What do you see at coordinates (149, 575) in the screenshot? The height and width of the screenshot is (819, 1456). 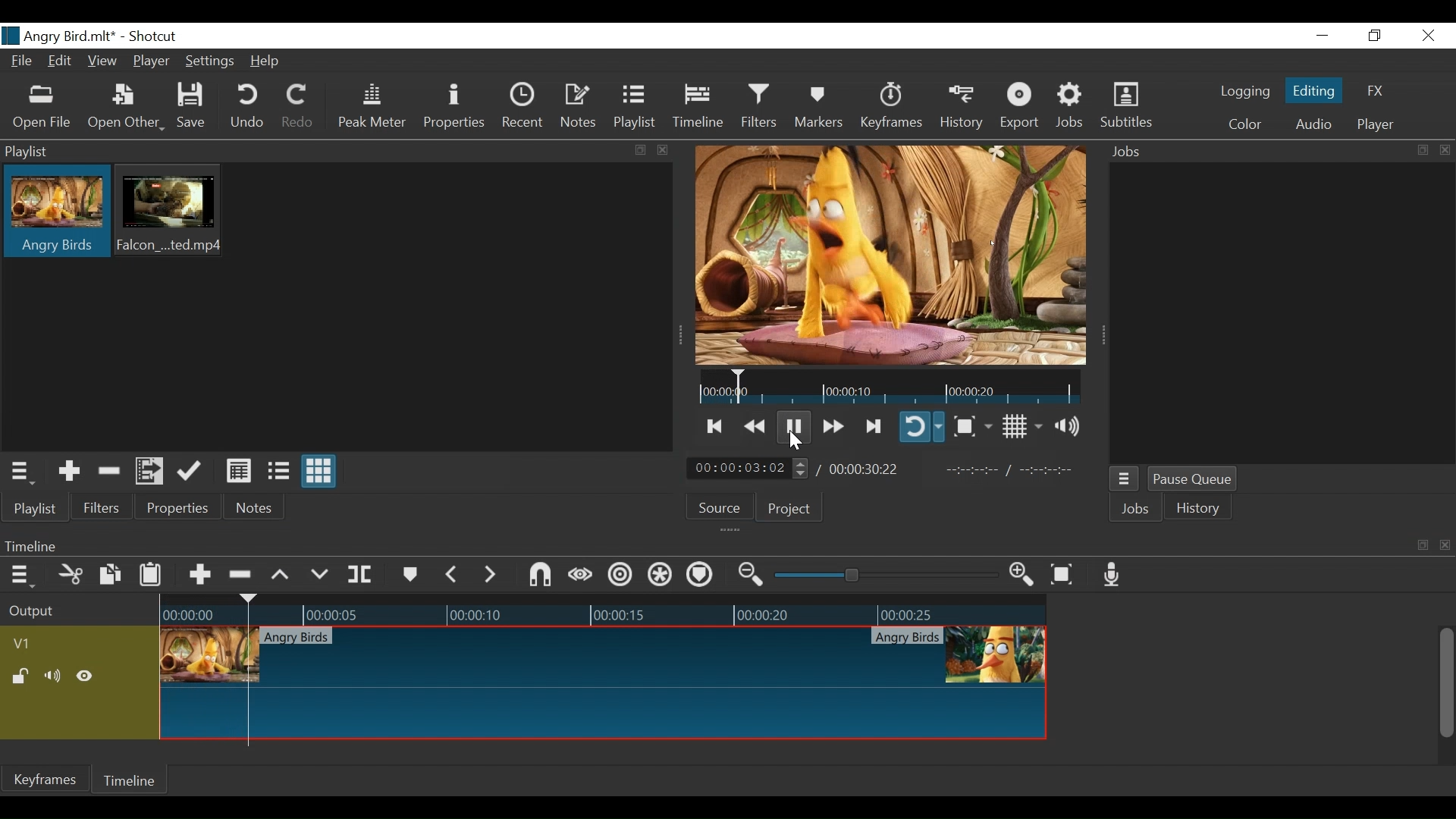 I see `Paste` at bounding box center [149, 575].